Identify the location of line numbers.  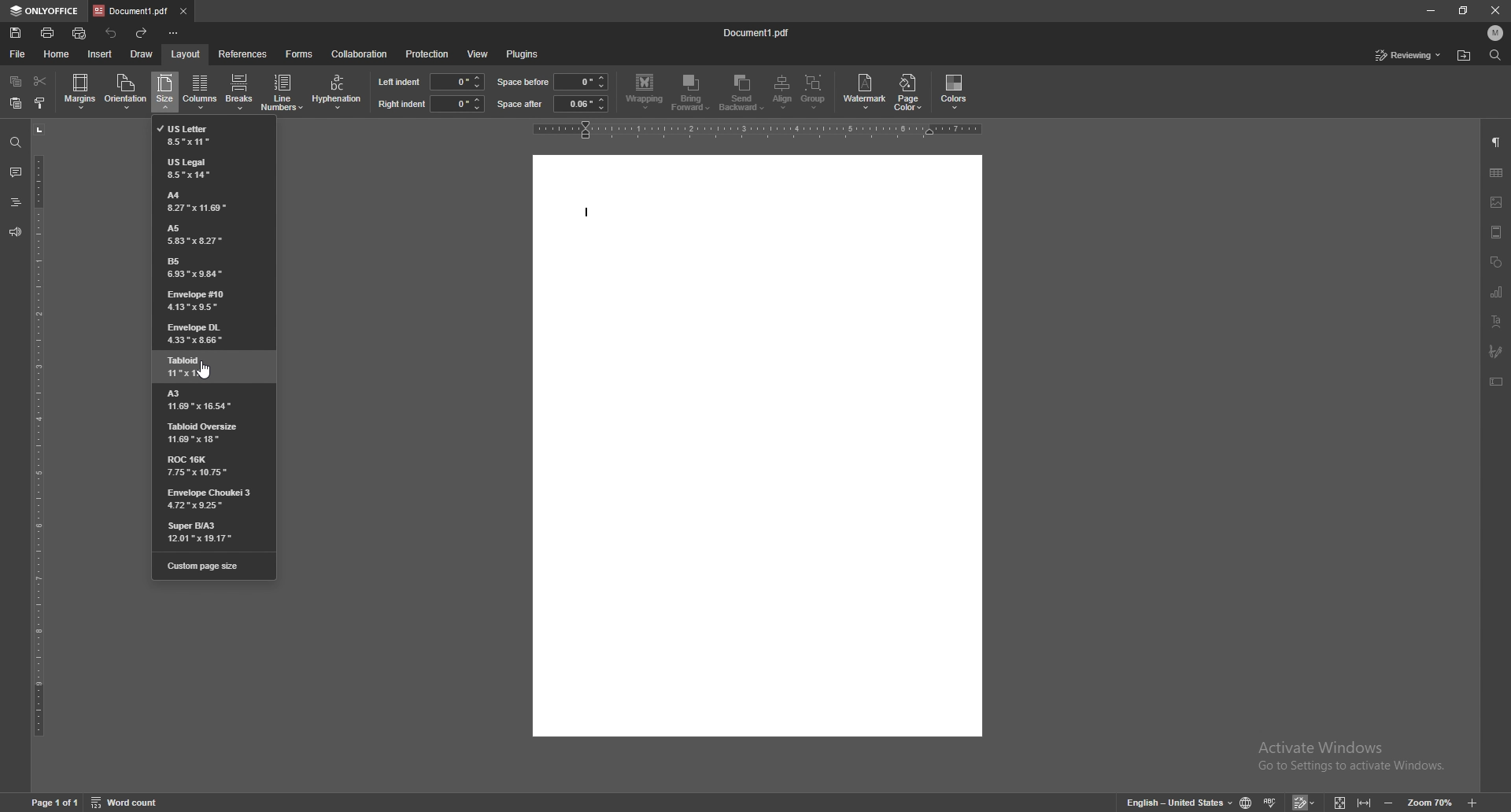
(284, 91).